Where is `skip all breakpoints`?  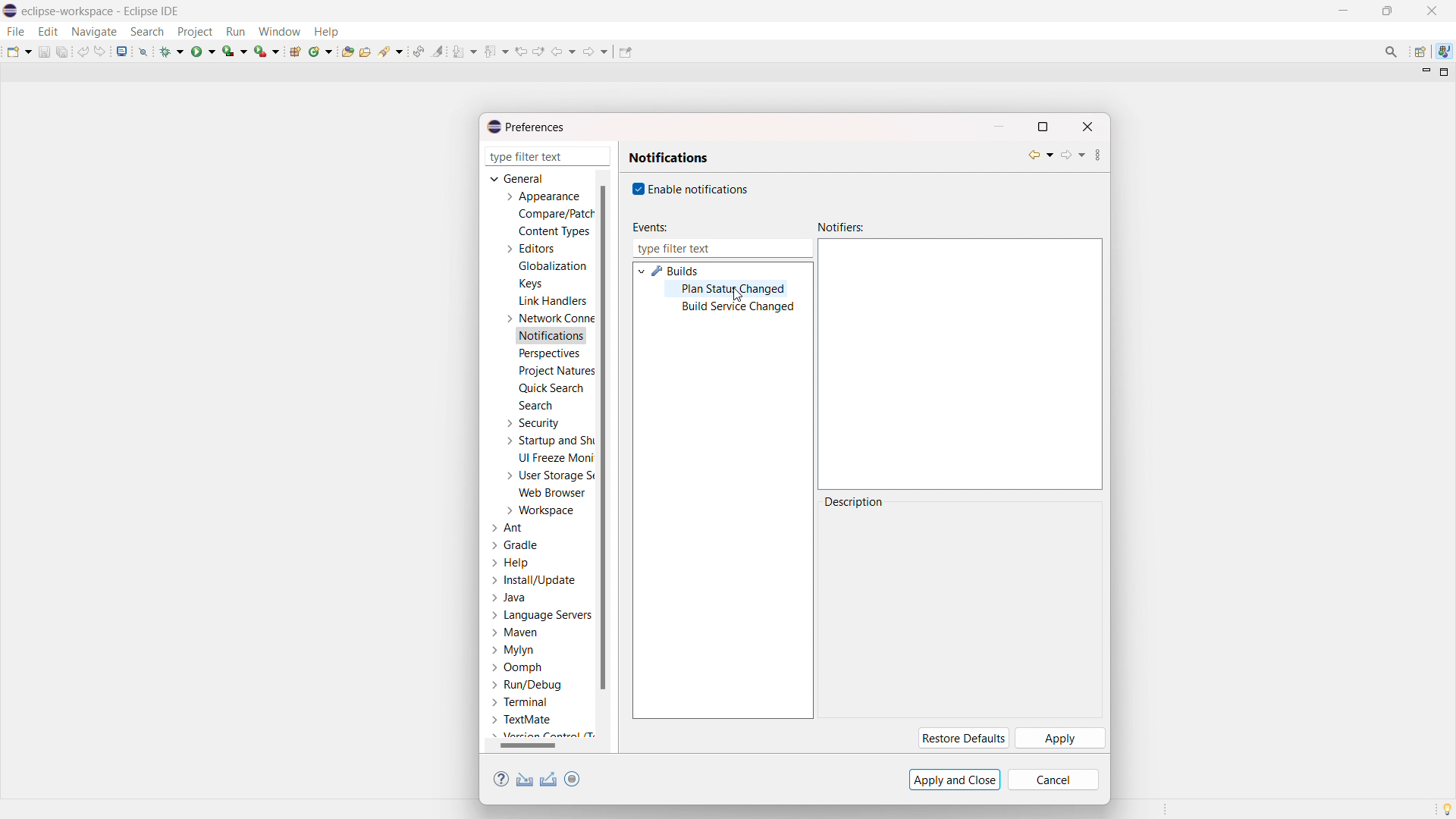 skip all breakpoints is located at coordinates (143, 51).